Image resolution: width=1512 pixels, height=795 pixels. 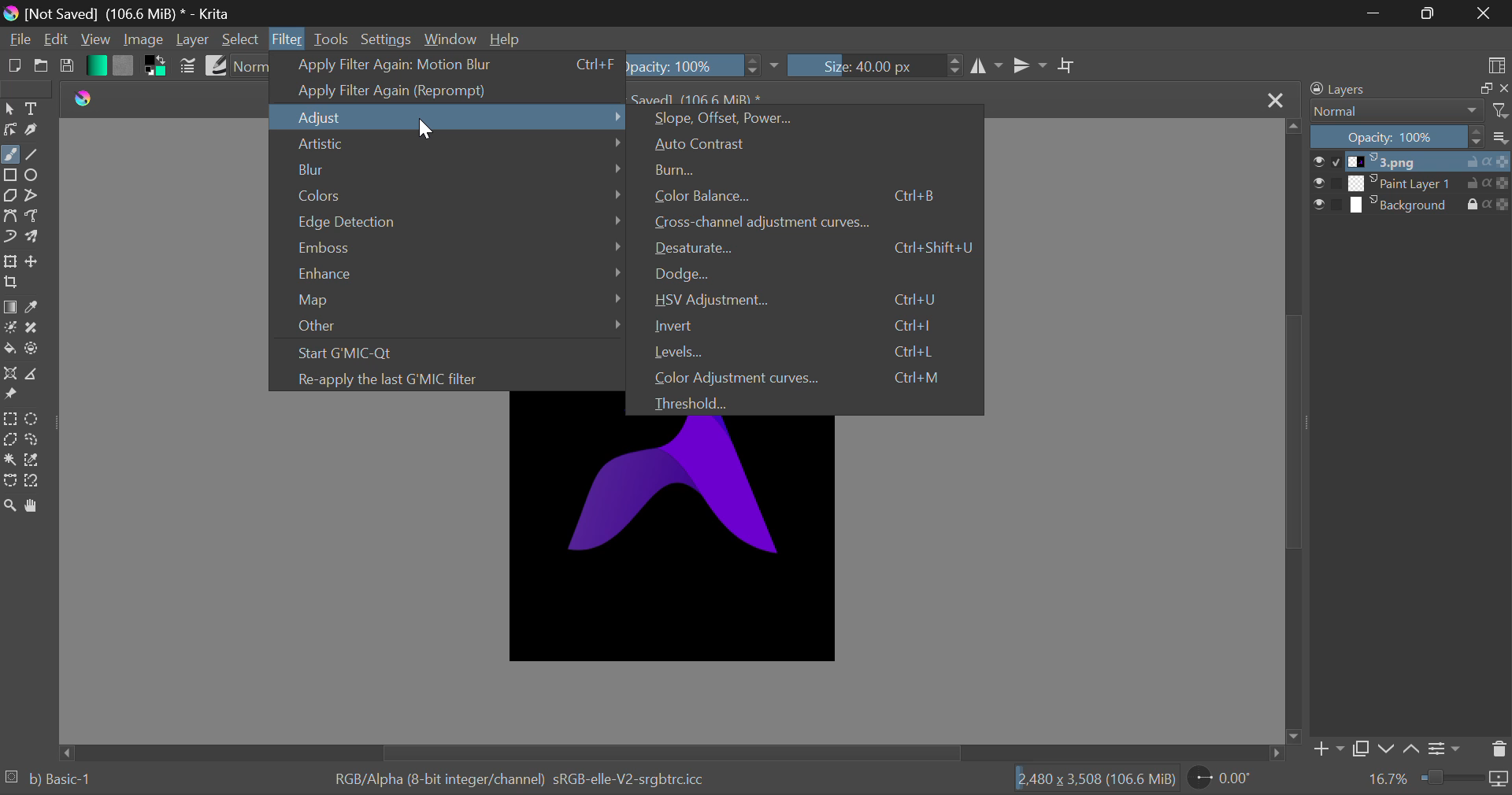 What do you see at coordinates (33, 108) in the screenshot?
I see `Text` at bounding box center [33, 108].